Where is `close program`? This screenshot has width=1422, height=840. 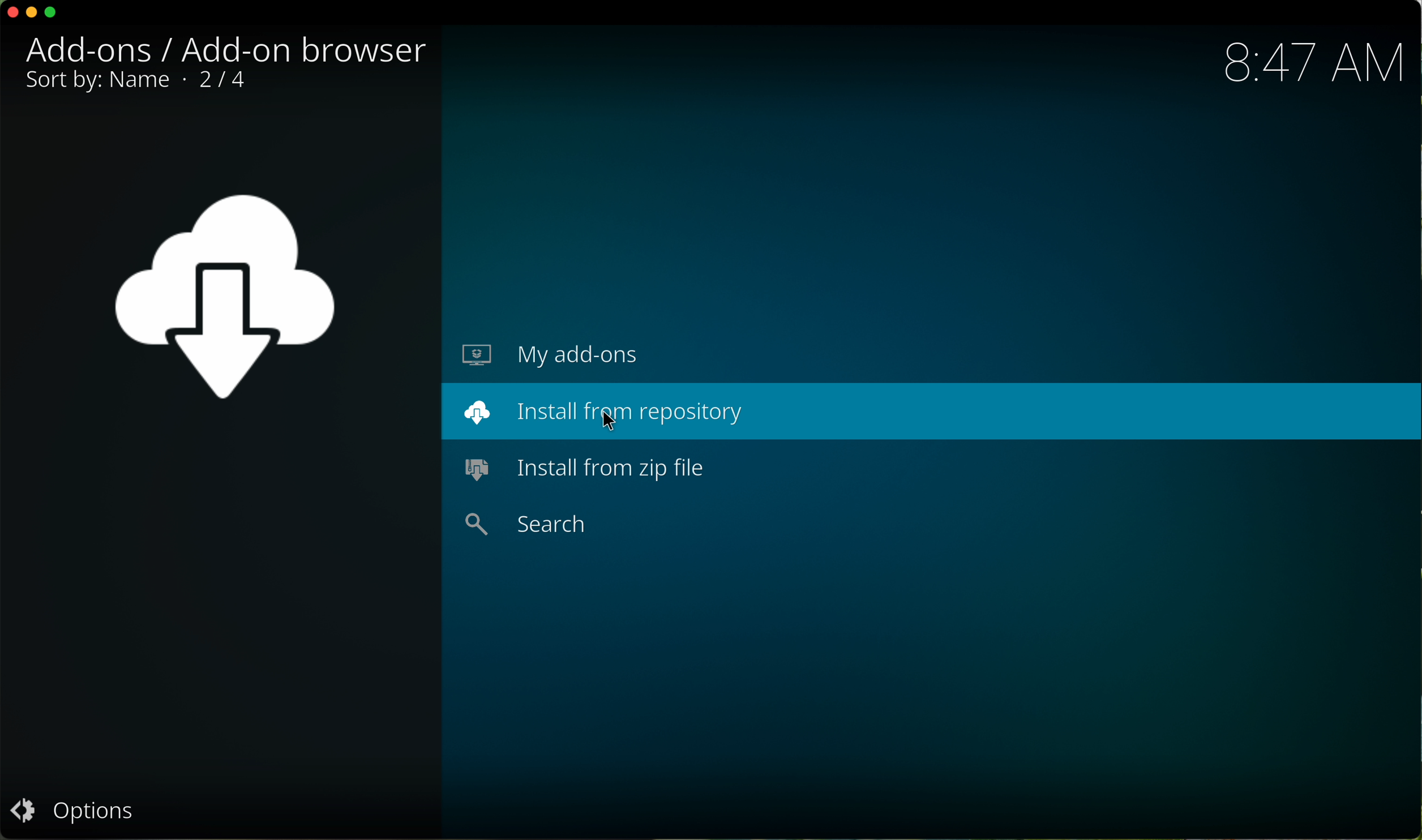
close program is located at coordinates (11, 13).